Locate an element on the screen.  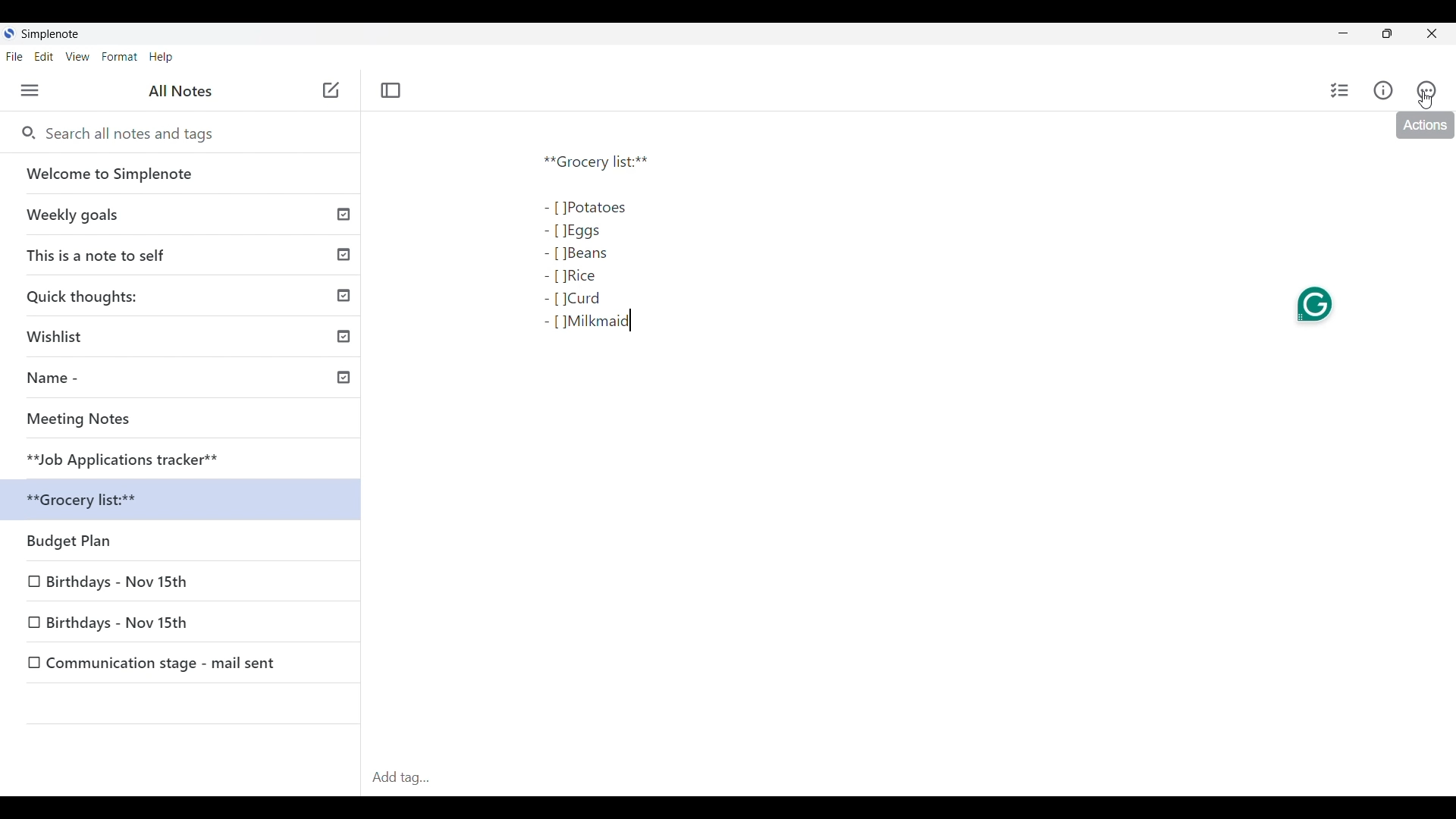
All Notes is located at coordinates (180, 92).